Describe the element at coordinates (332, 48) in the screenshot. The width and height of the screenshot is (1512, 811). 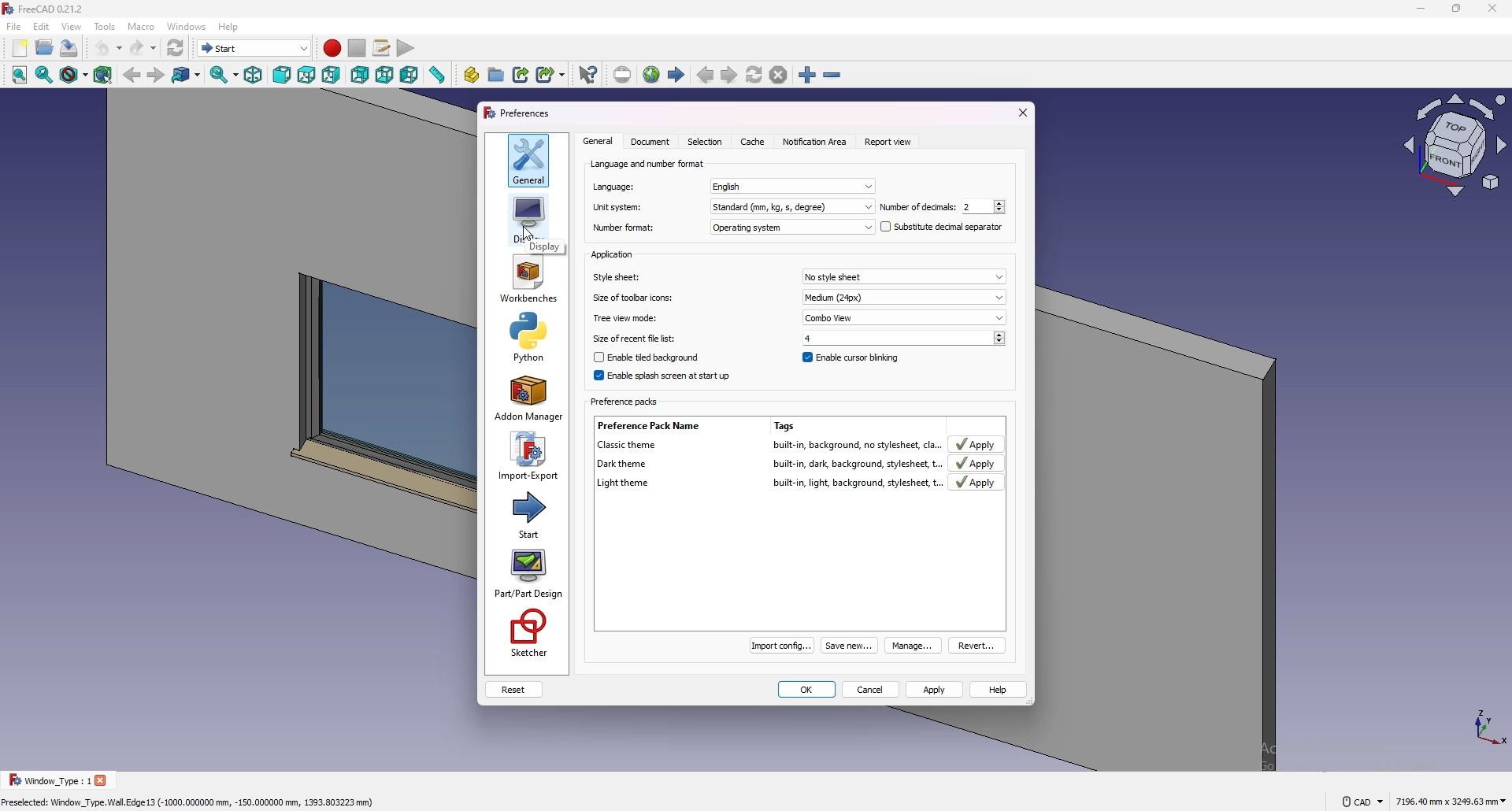
I see `record macros` at that location.